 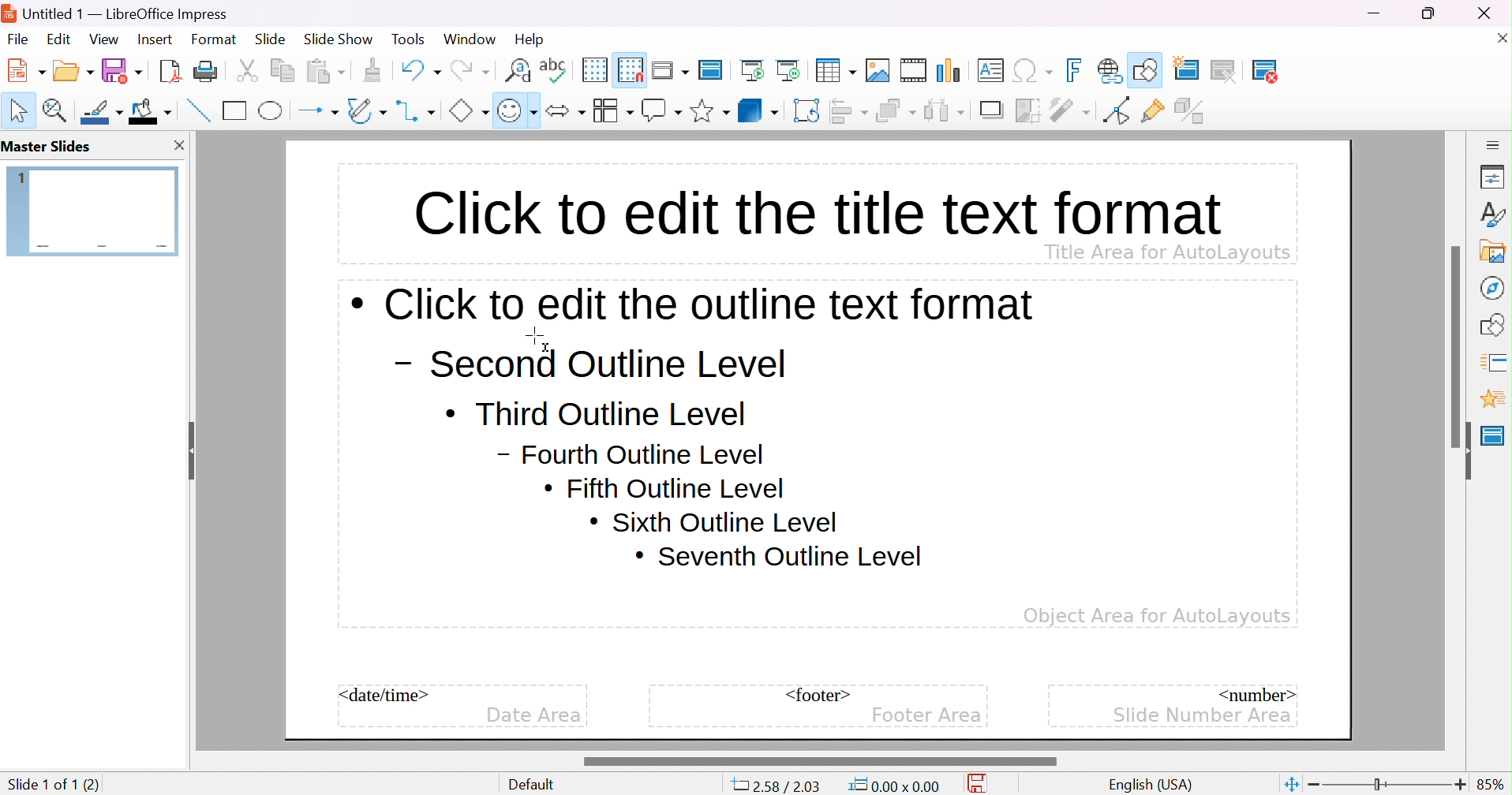 What do you see at coordinates (818, 761) in the screenshot?
I see `slider` at bounding box center [818, 761].